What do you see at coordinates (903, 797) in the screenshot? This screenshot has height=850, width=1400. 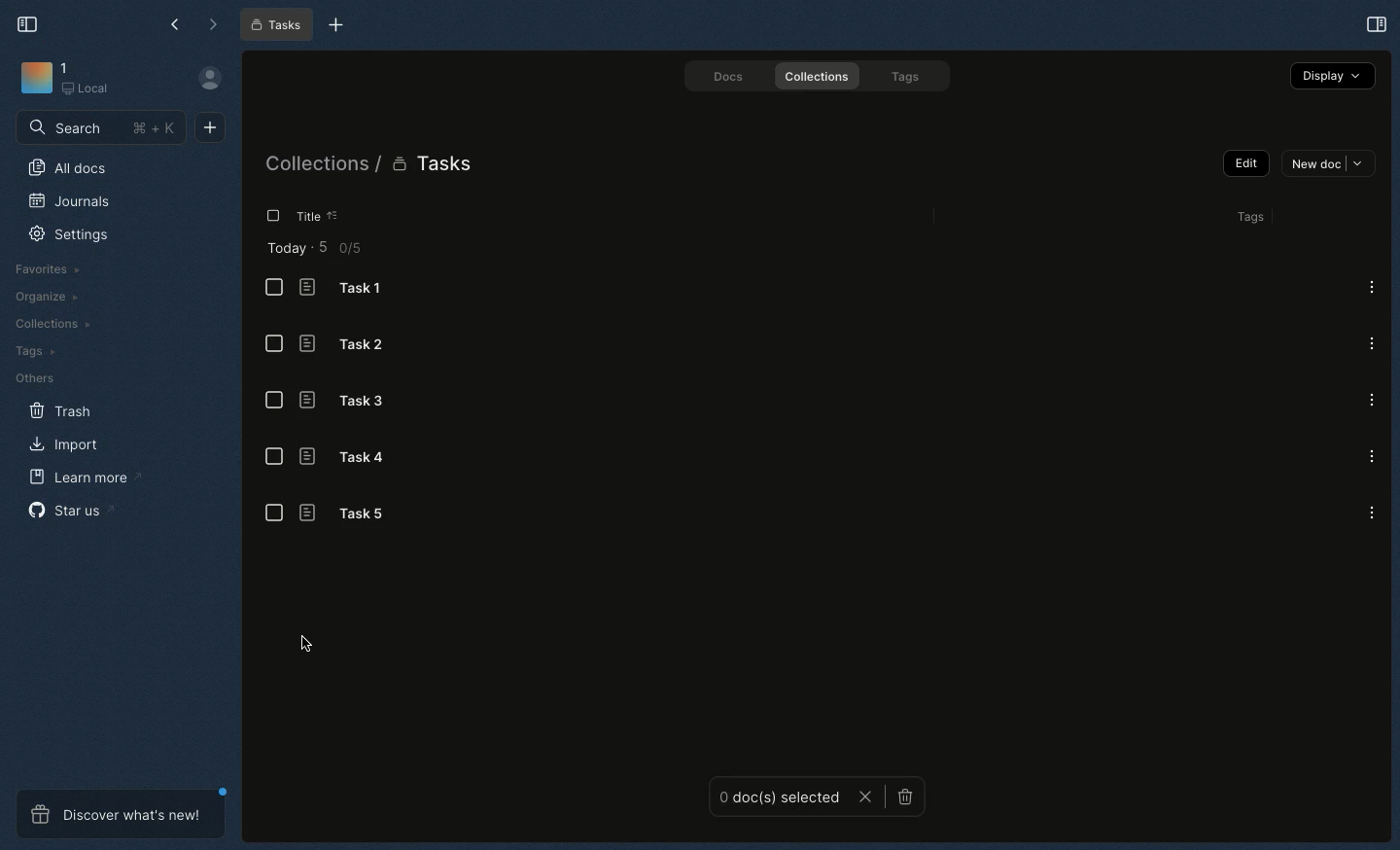 I see `Delete` at bounding box center [903, 797].